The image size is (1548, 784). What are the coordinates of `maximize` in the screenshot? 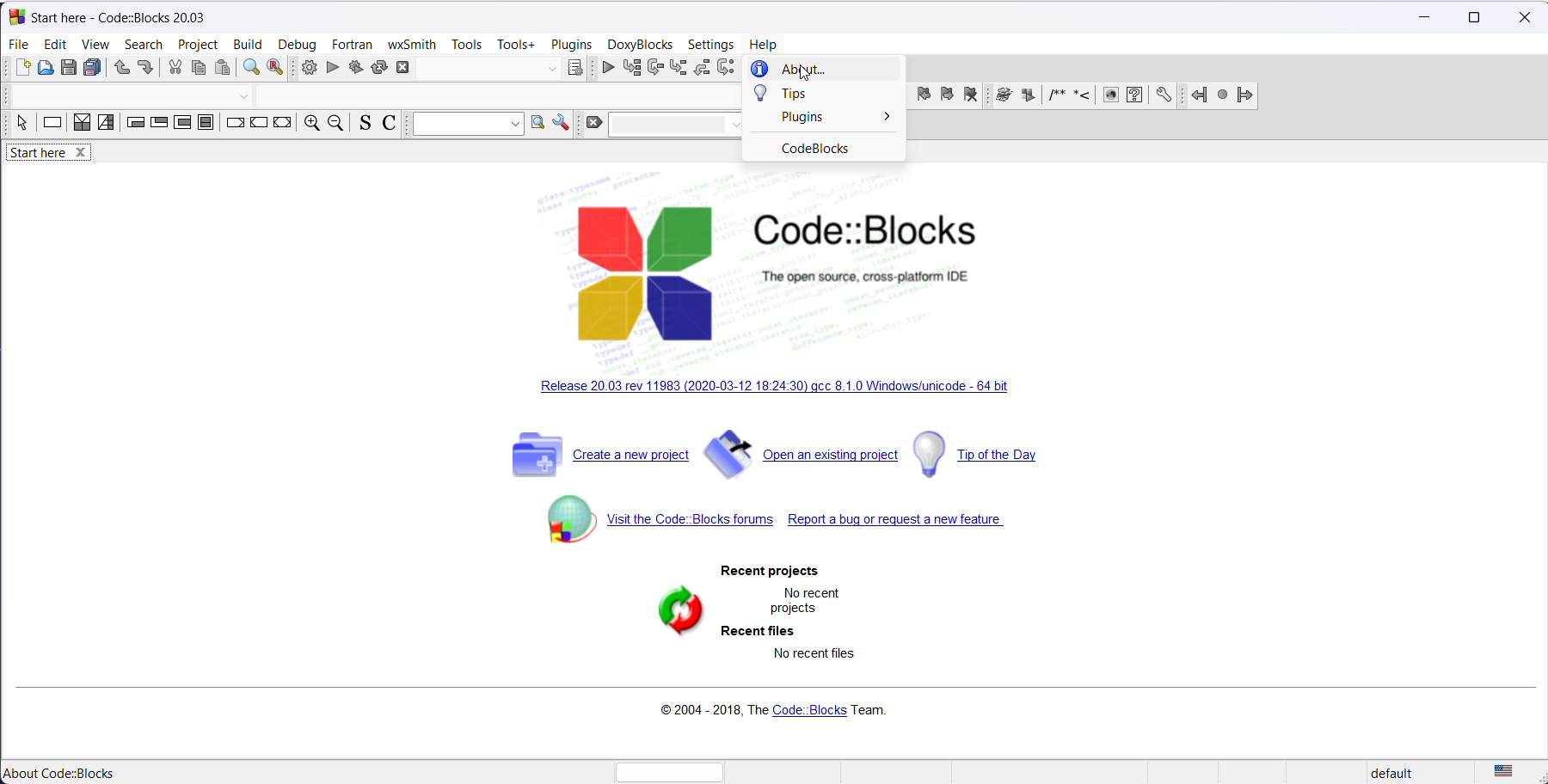 It's located at (1477, 15).